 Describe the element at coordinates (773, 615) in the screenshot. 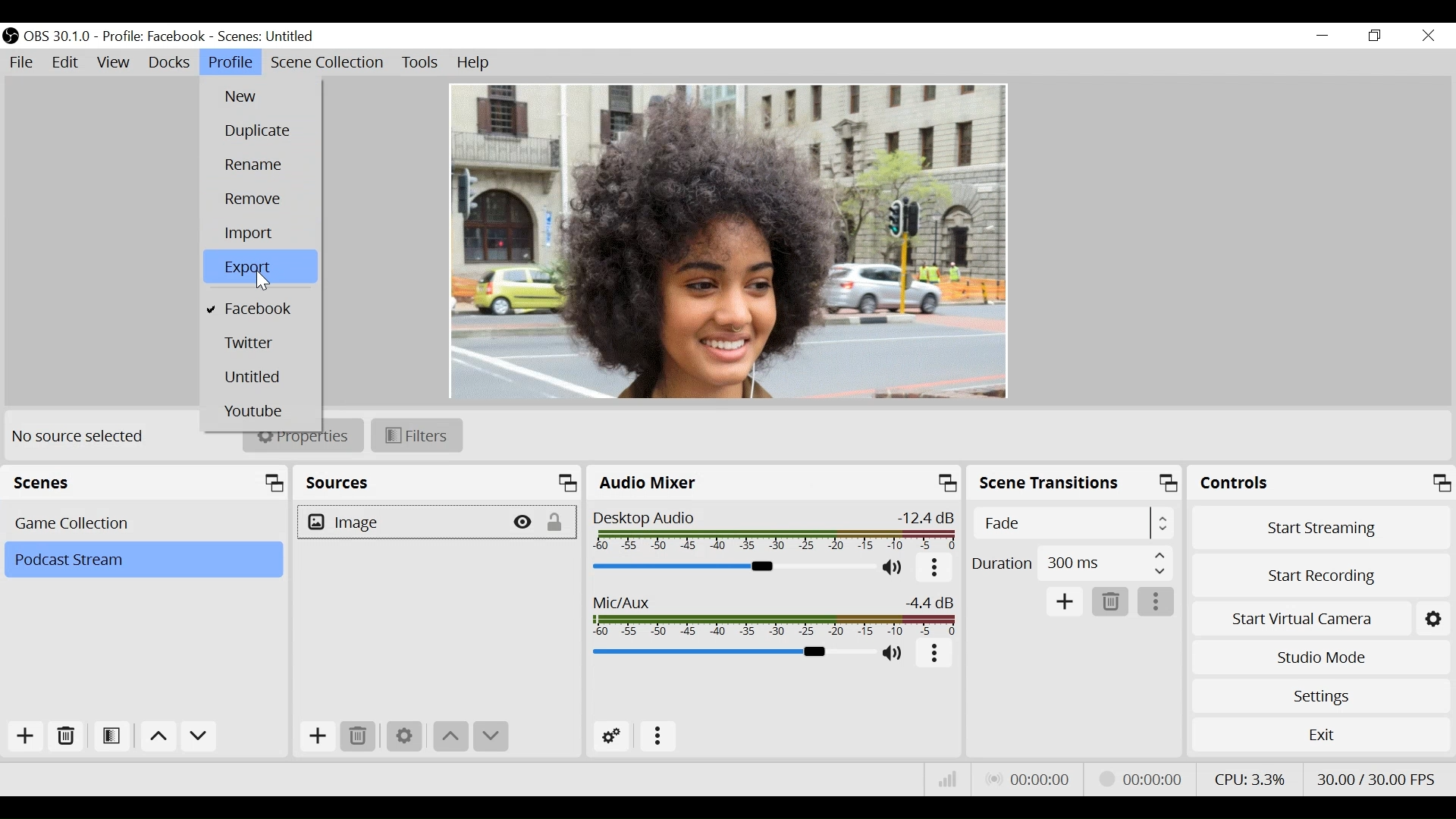

I see `Mic/Aux ` at that location.